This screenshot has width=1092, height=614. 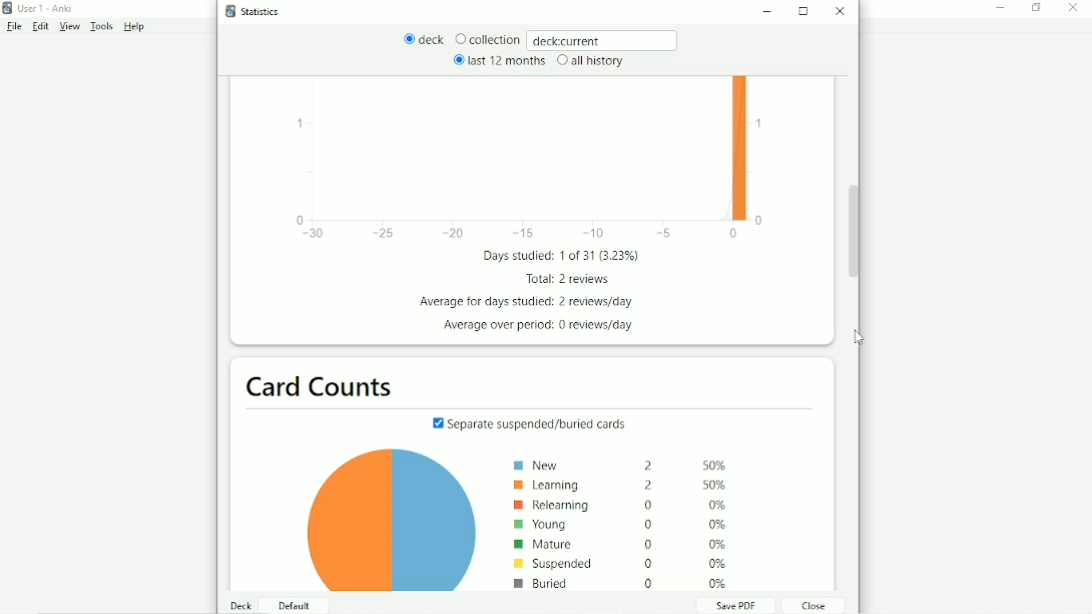 I want to click on Scrollbar, so click(x=854, y=233).